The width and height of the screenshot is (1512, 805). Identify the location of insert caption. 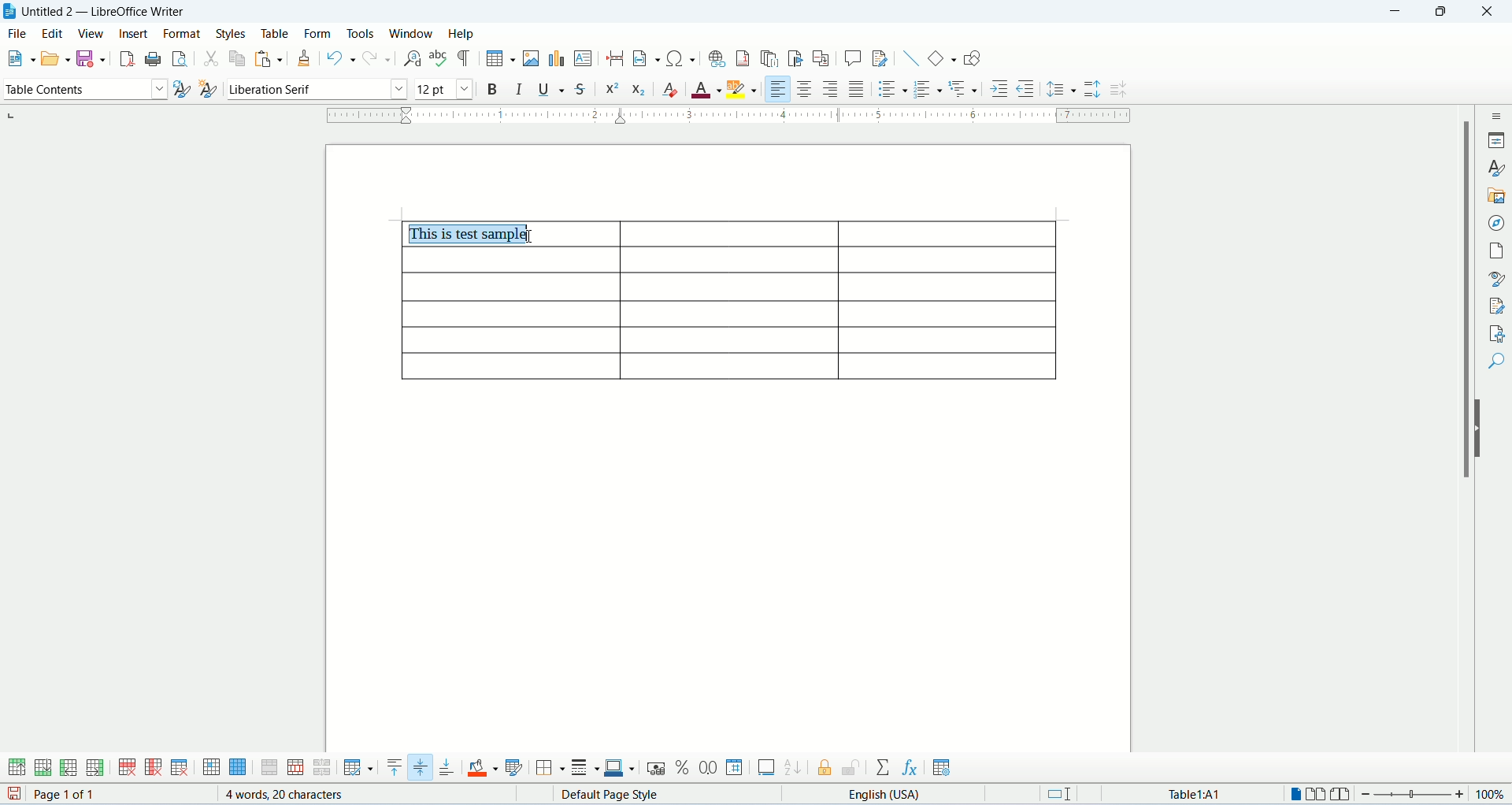
(766, 769).